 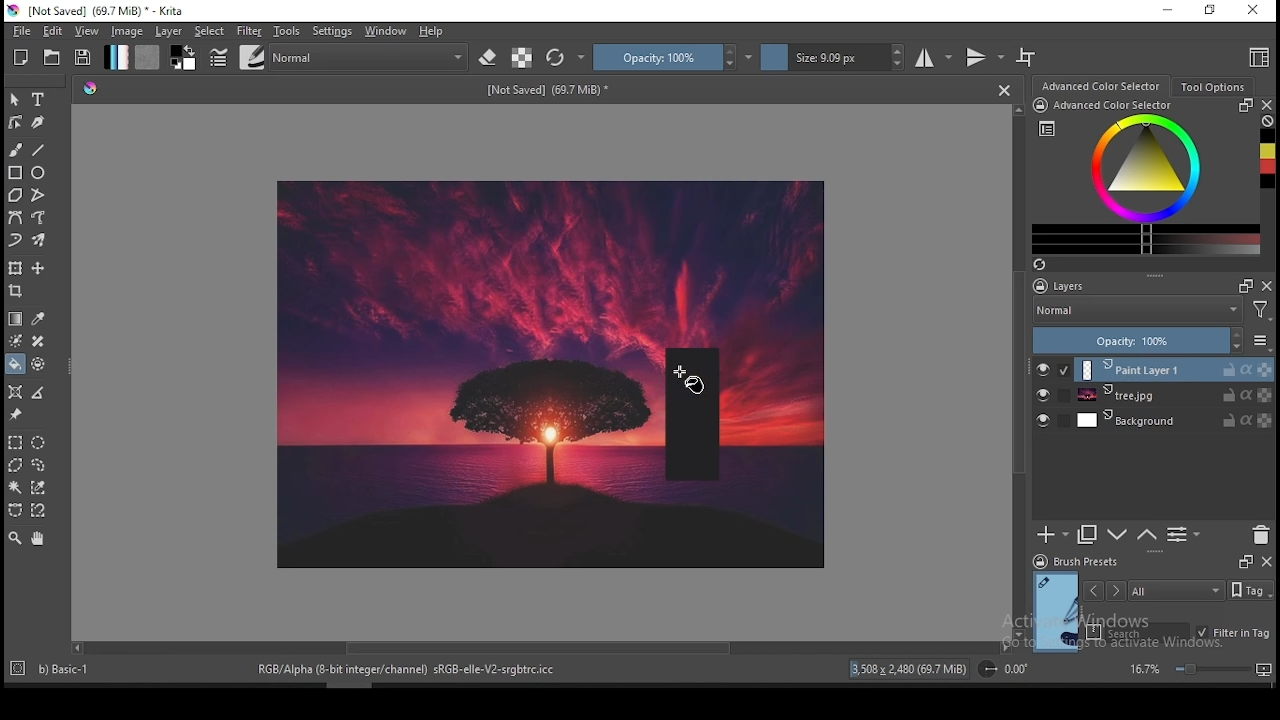 What do you see at coordinates (1043, 395) in the screenshot?
I see `layer visibility on/off` at bounding box center [1043, 395].